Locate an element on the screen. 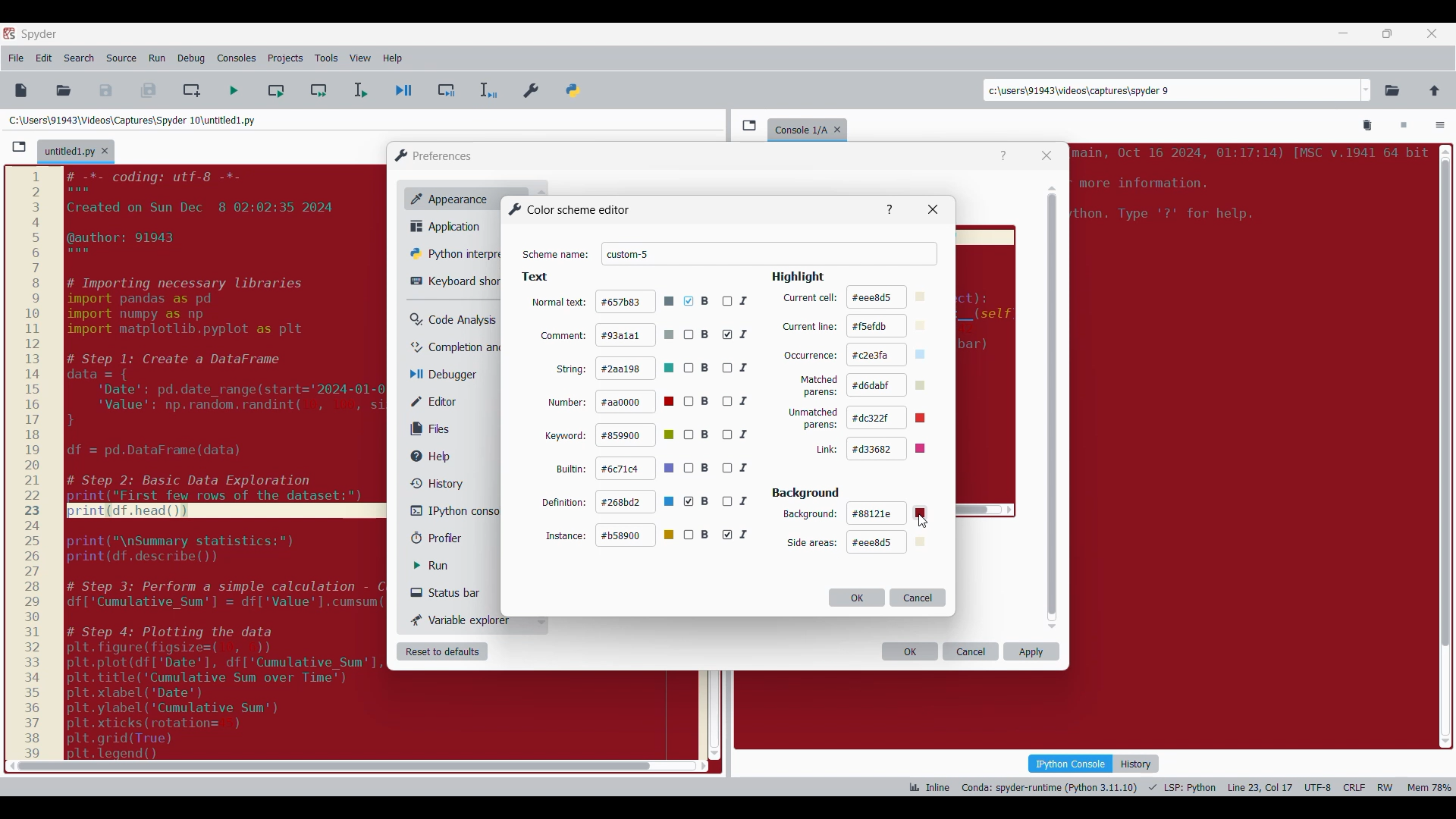 This screenshot has height=819, width=1456. Open is located at coordinates (64, 90).